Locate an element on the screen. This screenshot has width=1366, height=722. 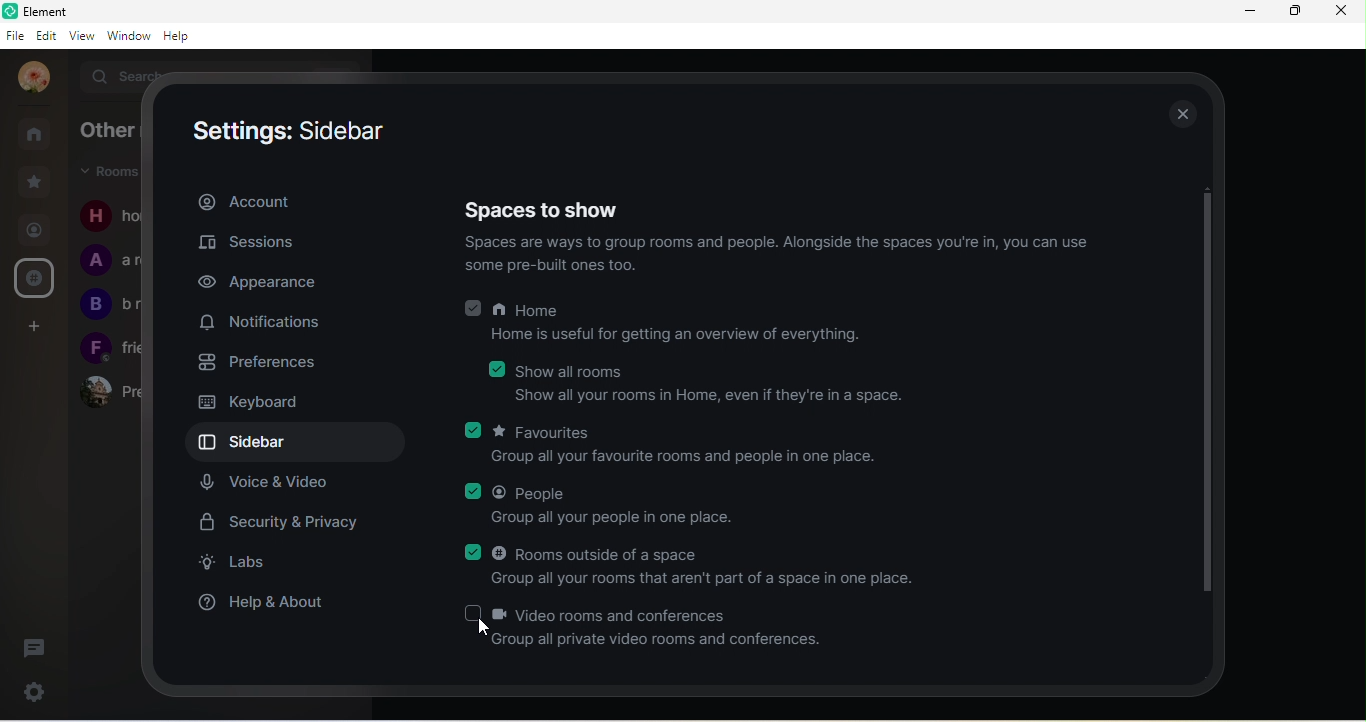
minimize is located at coordinates (1249, 15).